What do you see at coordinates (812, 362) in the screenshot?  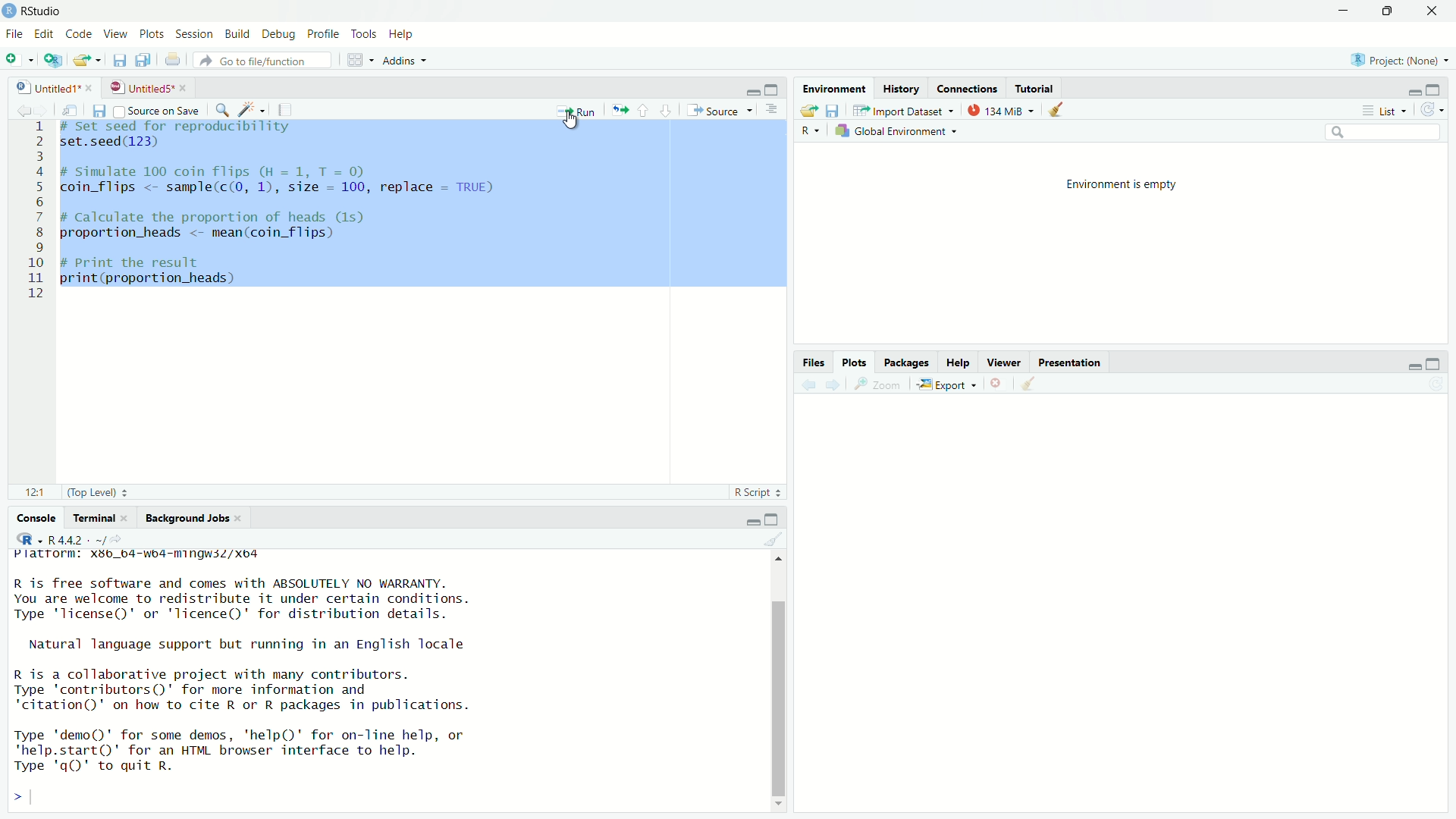 I see `Files` at bounding box center [812, 362].